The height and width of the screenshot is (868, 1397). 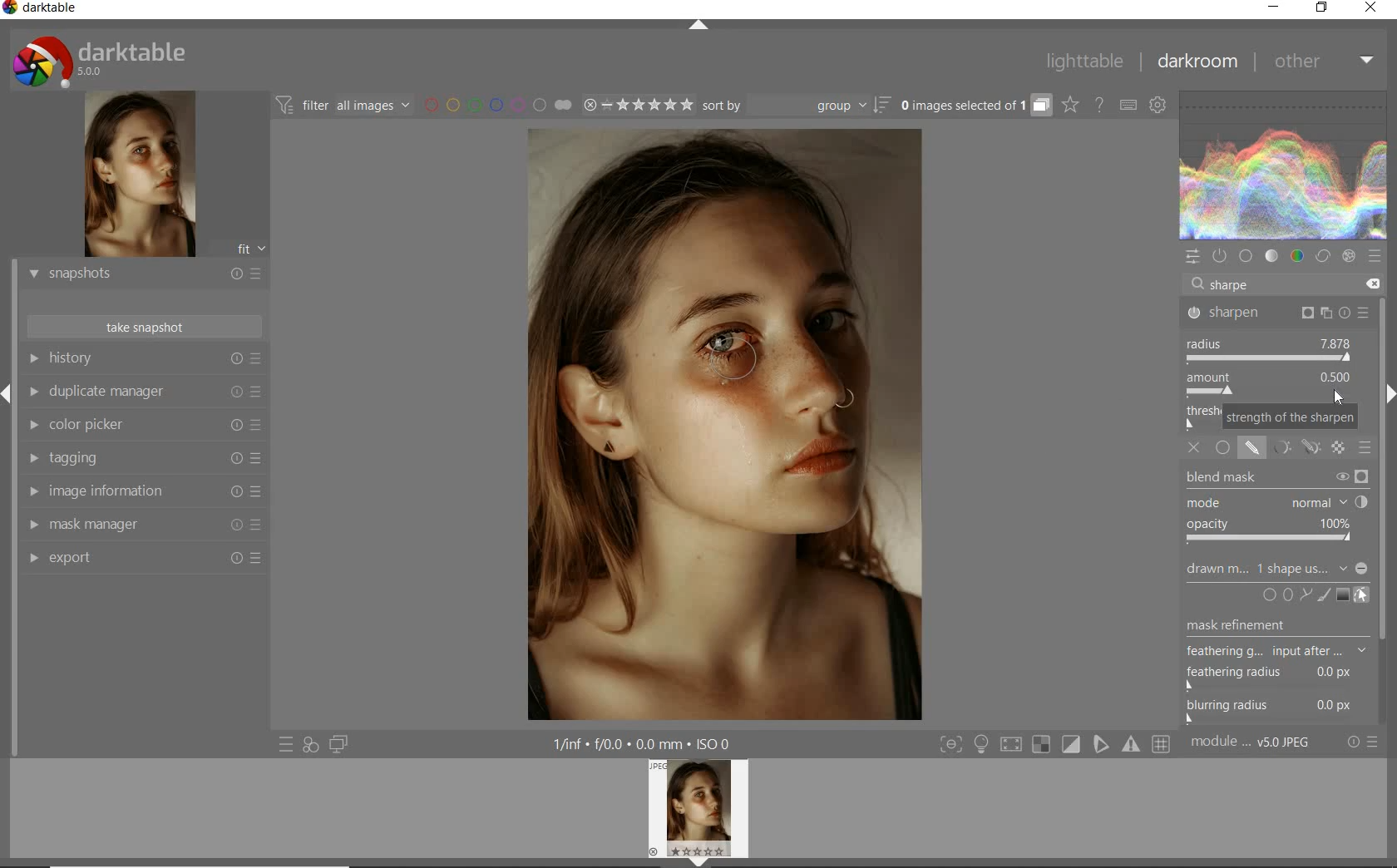 I want to click on presets, so click(x=1374, y=256).